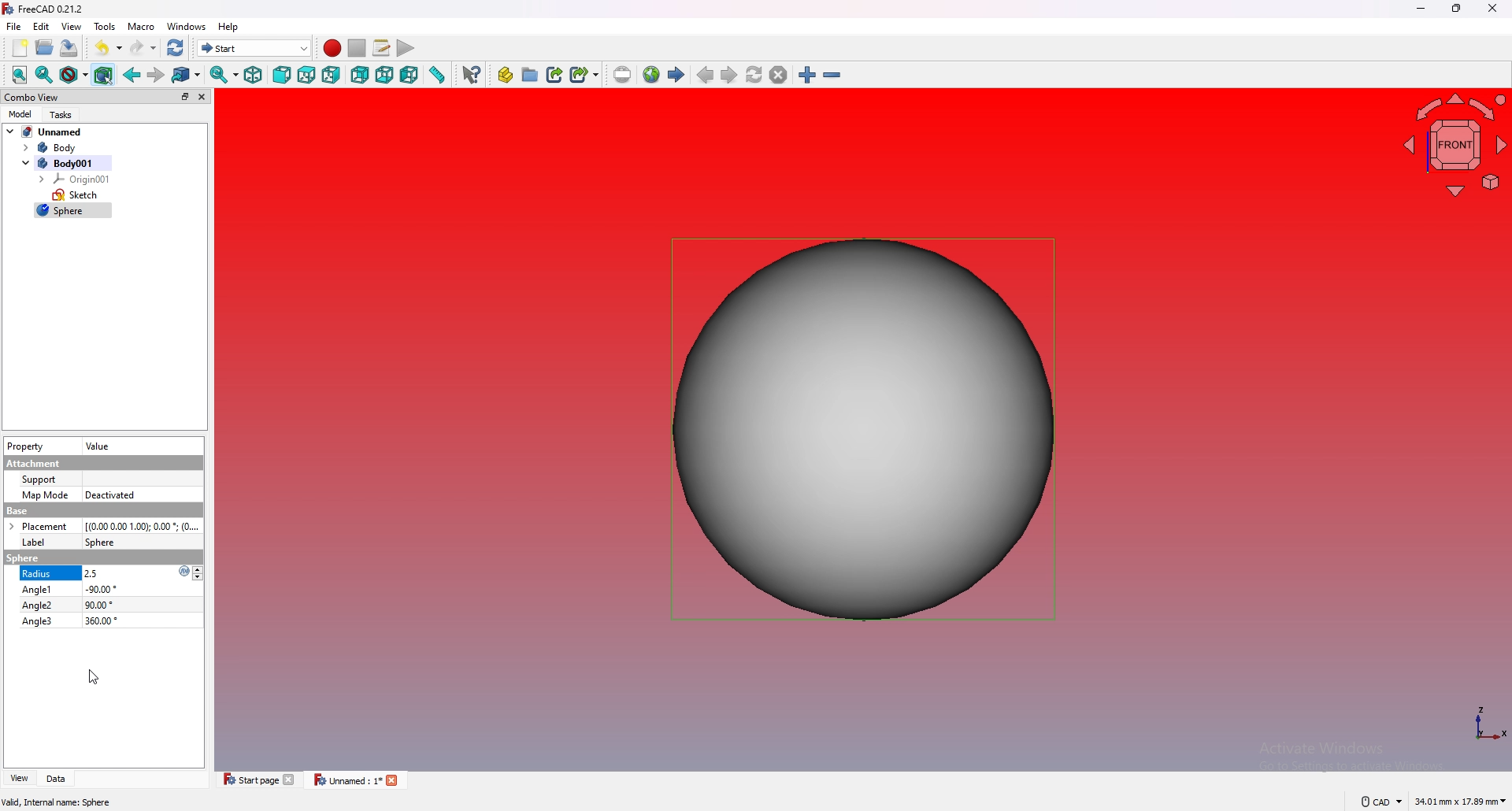 The image size is (1512, 811). Describe the element at coordinates (141, 27) in the screenshot. I see `macro` at that location.